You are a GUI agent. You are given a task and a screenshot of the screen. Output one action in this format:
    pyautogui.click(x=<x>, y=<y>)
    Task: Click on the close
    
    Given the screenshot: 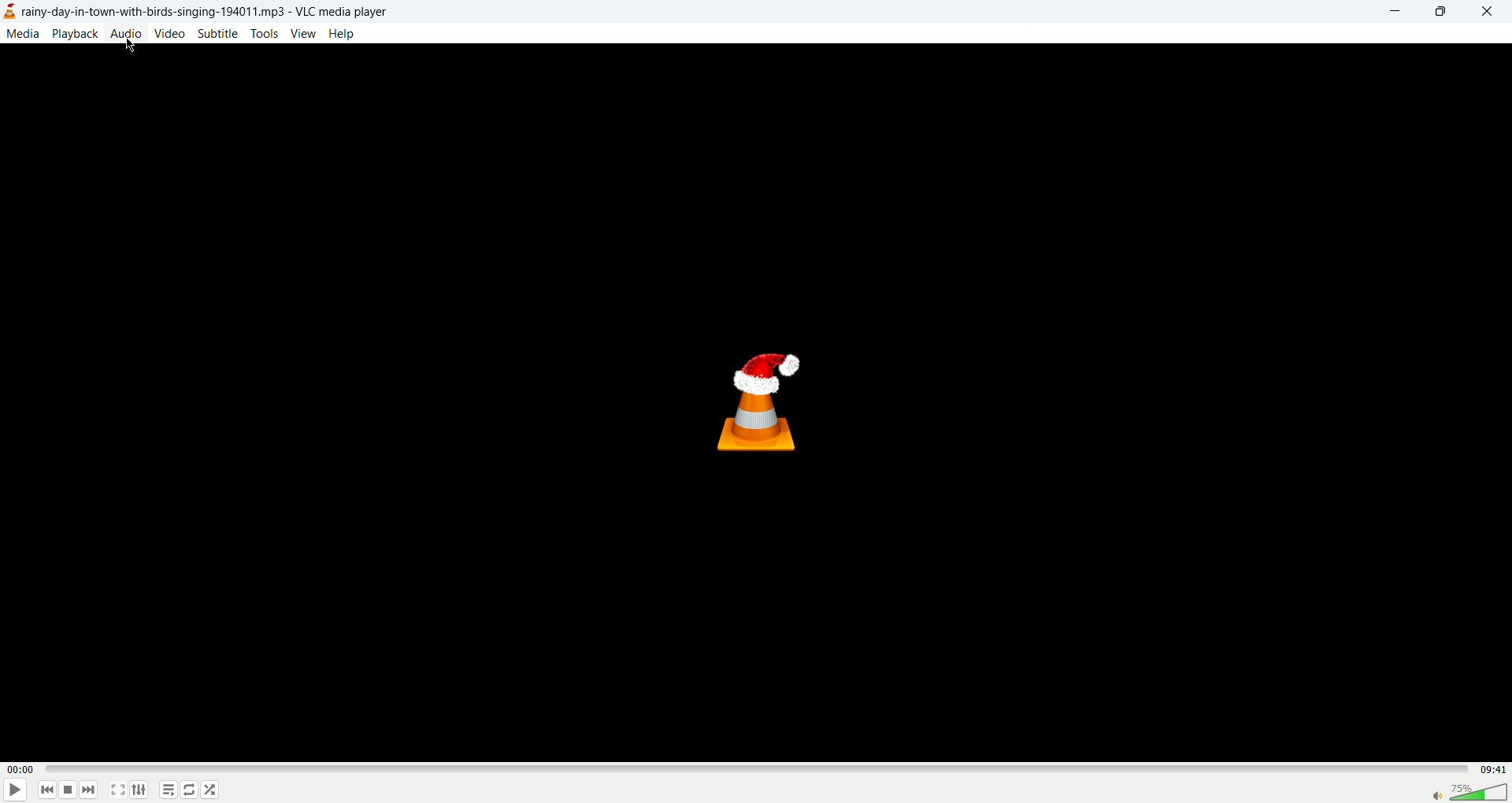 What is the action you would take?
    pyautogui.click(x=1489, y=11)
    